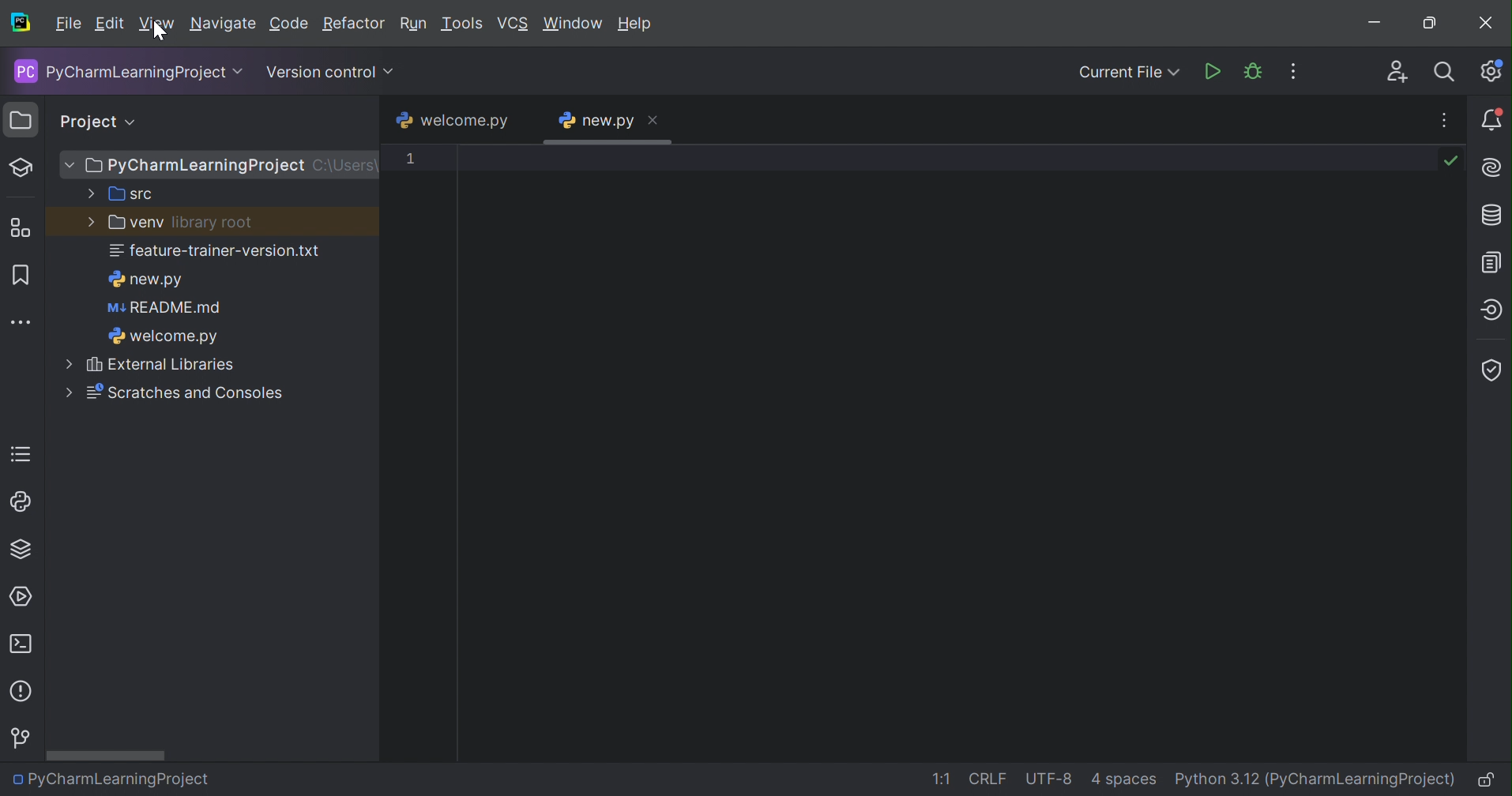 The width and height of the screenshot is (1512, 796). Describe the element at coordinates (109, 24) in the screenshot. I see `Edit` at that location.